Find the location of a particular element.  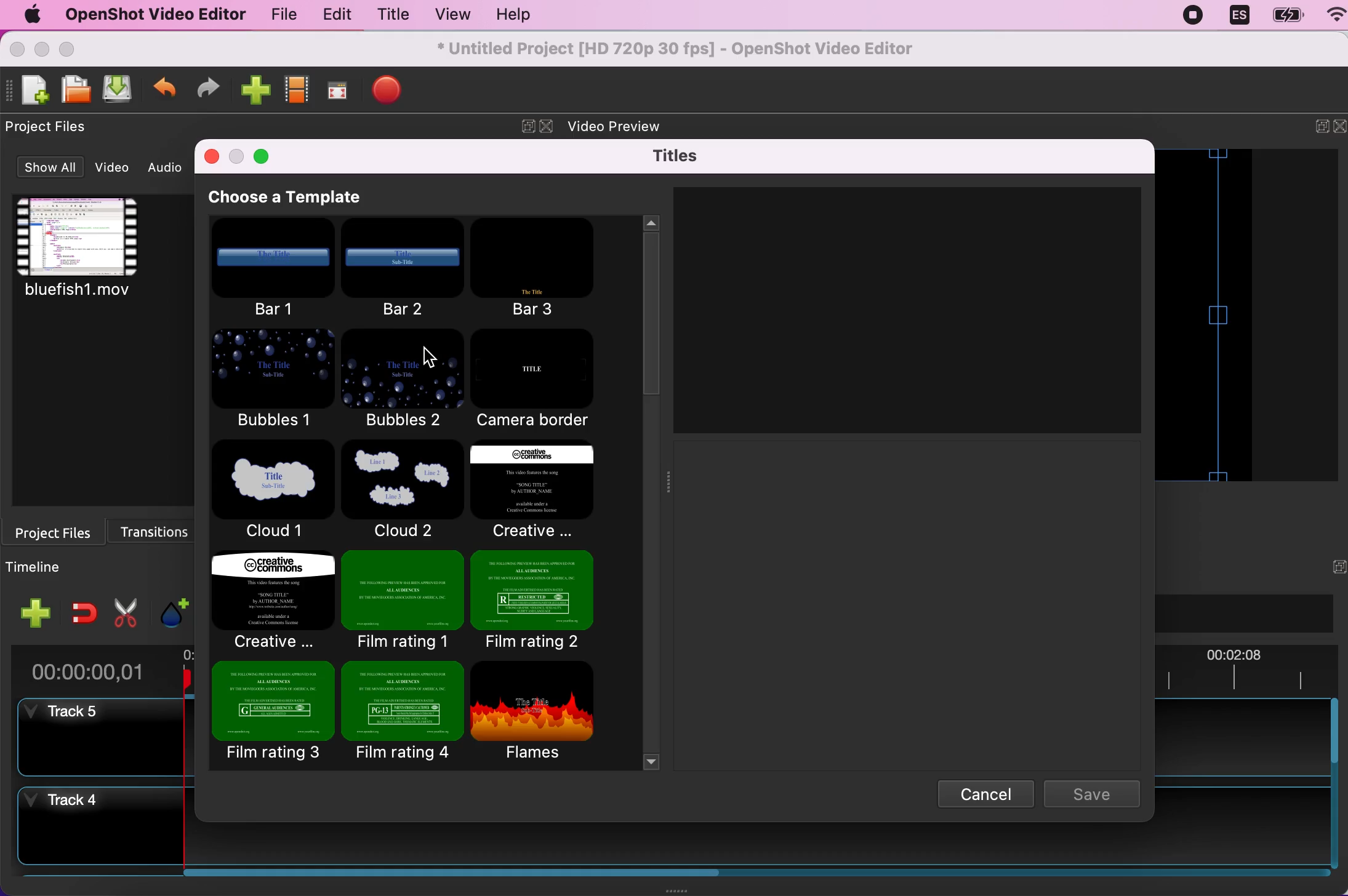

transitions is located at coordinates (161, 529).